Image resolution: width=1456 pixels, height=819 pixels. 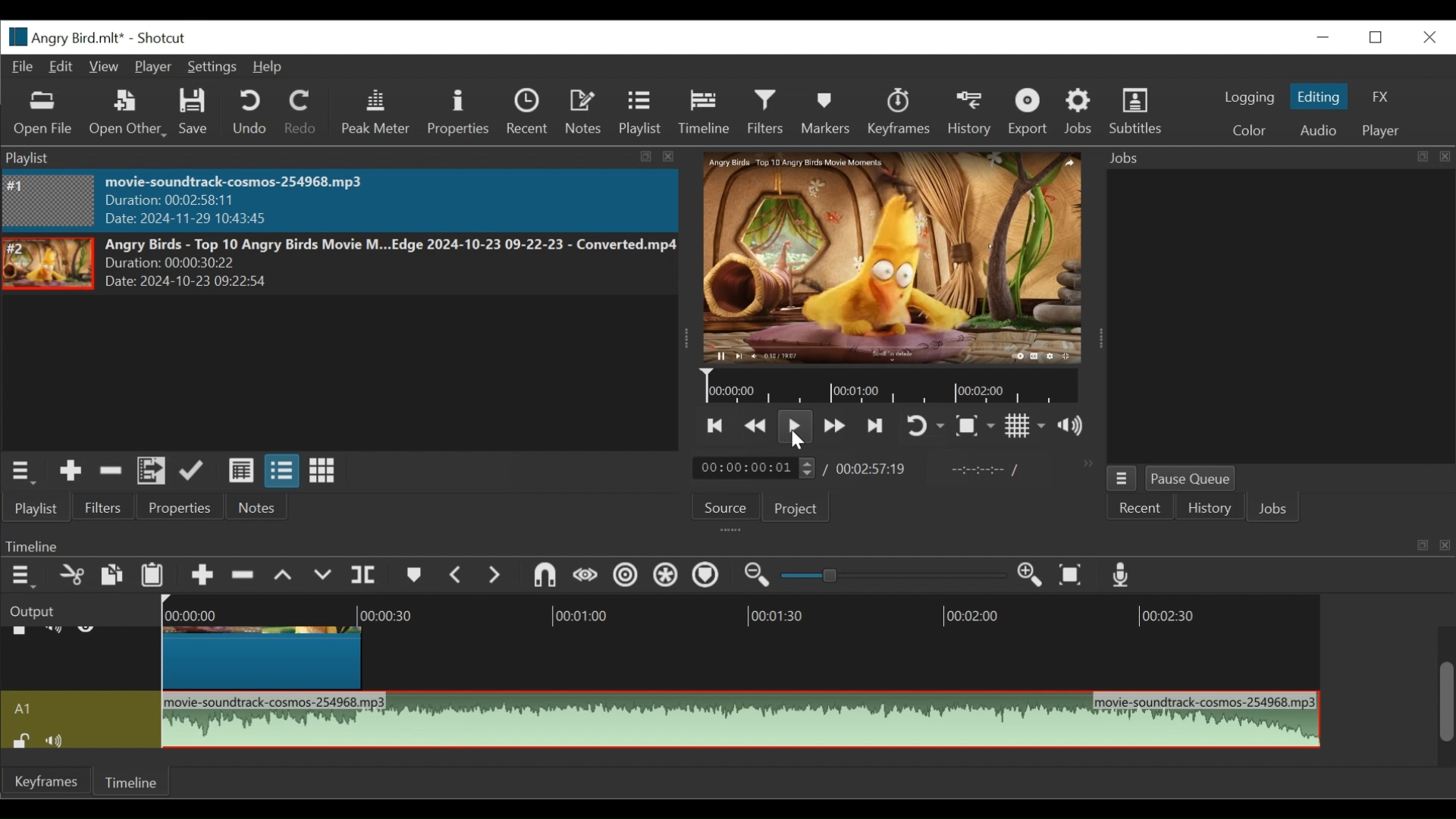 What do you see at coordinates (256, 508) in the screenshot?
I see `Notes` at bounding box center [256, 508].